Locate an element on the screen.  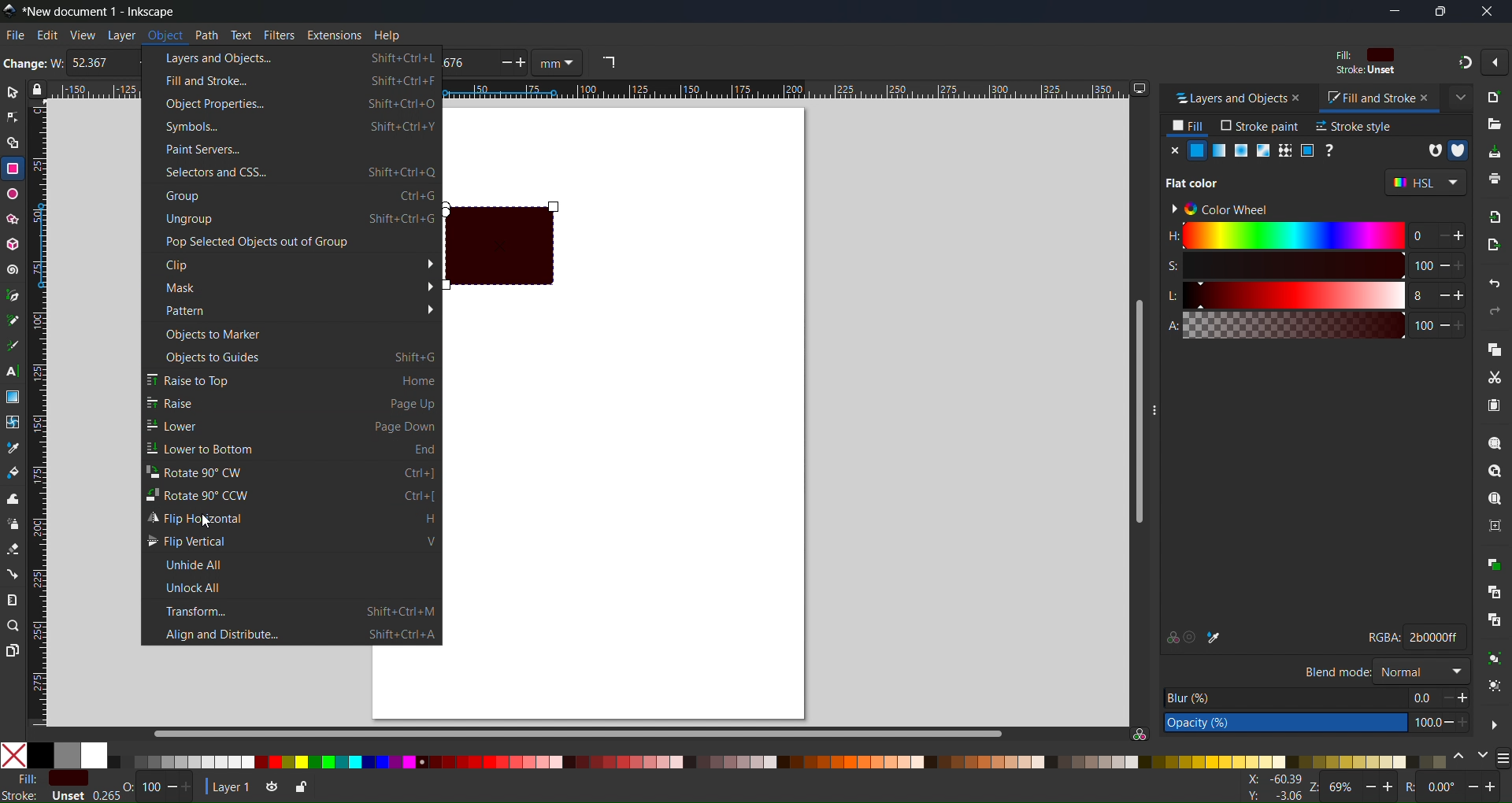
Ellipse/ arc tool is located at coordinates (13, 194).